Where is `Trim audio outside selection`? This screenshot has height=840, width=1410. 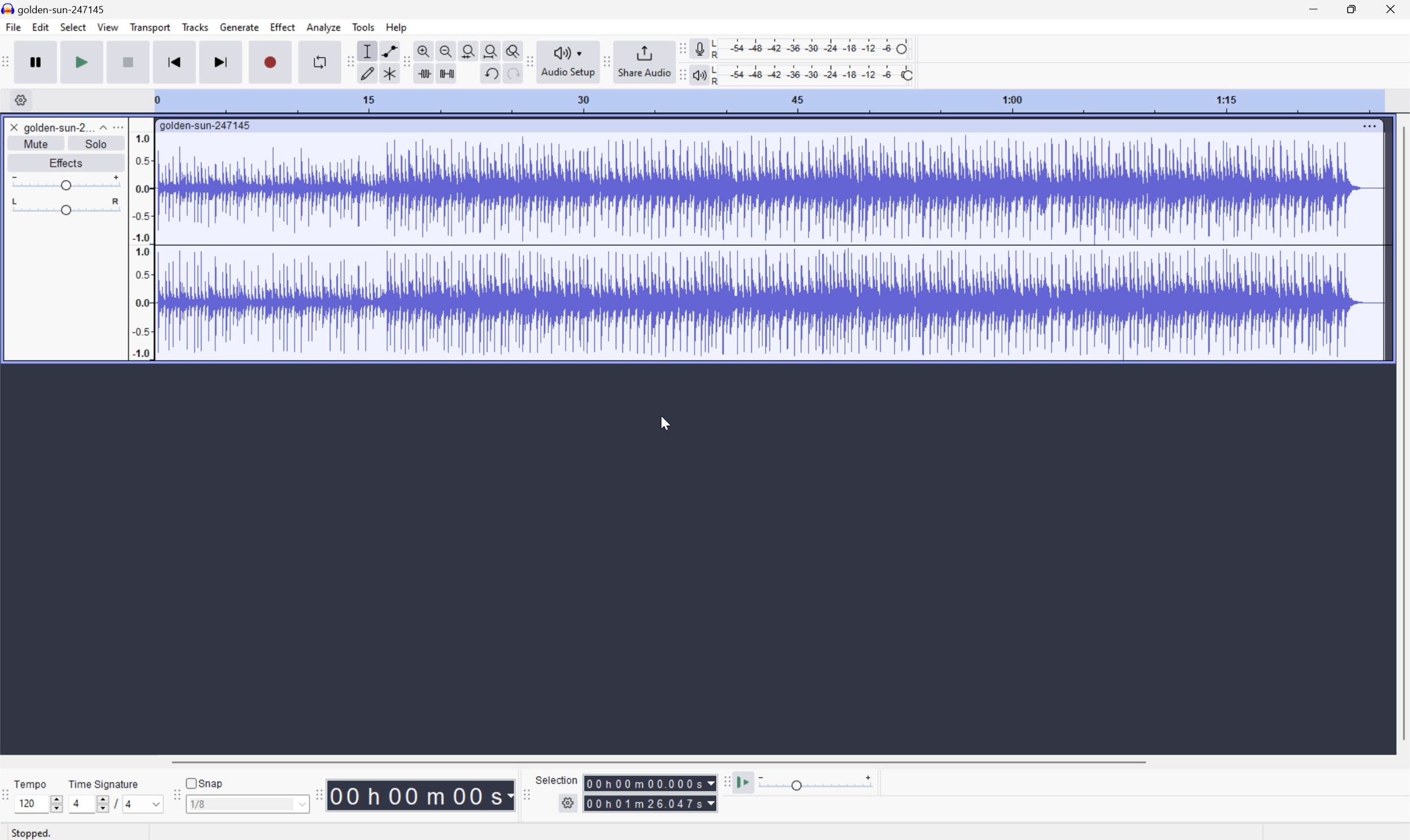 Trim audio outside selection is located at coordinates (426, 73).